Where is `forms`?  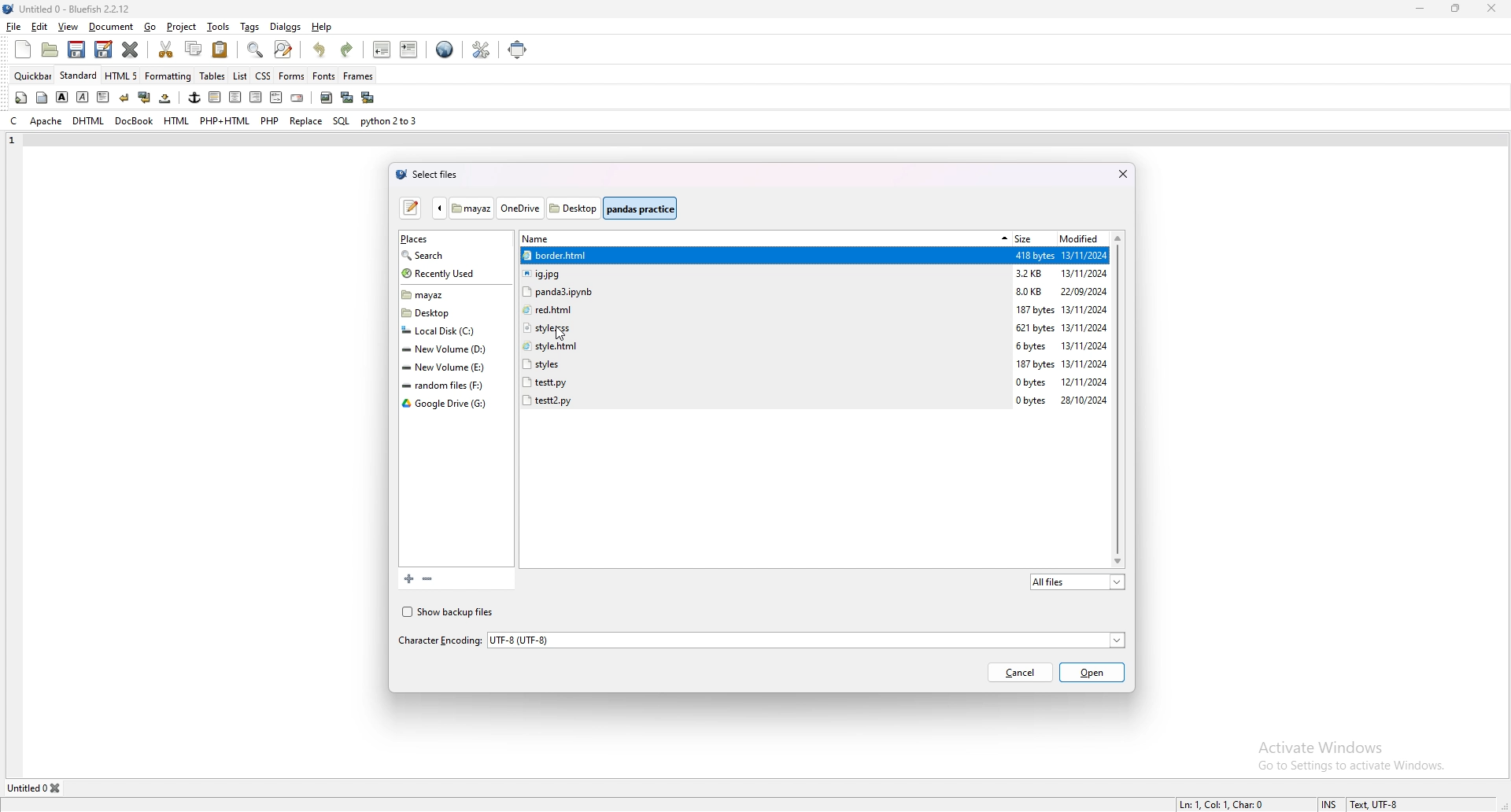
forms is located at coordinates (292, 76).